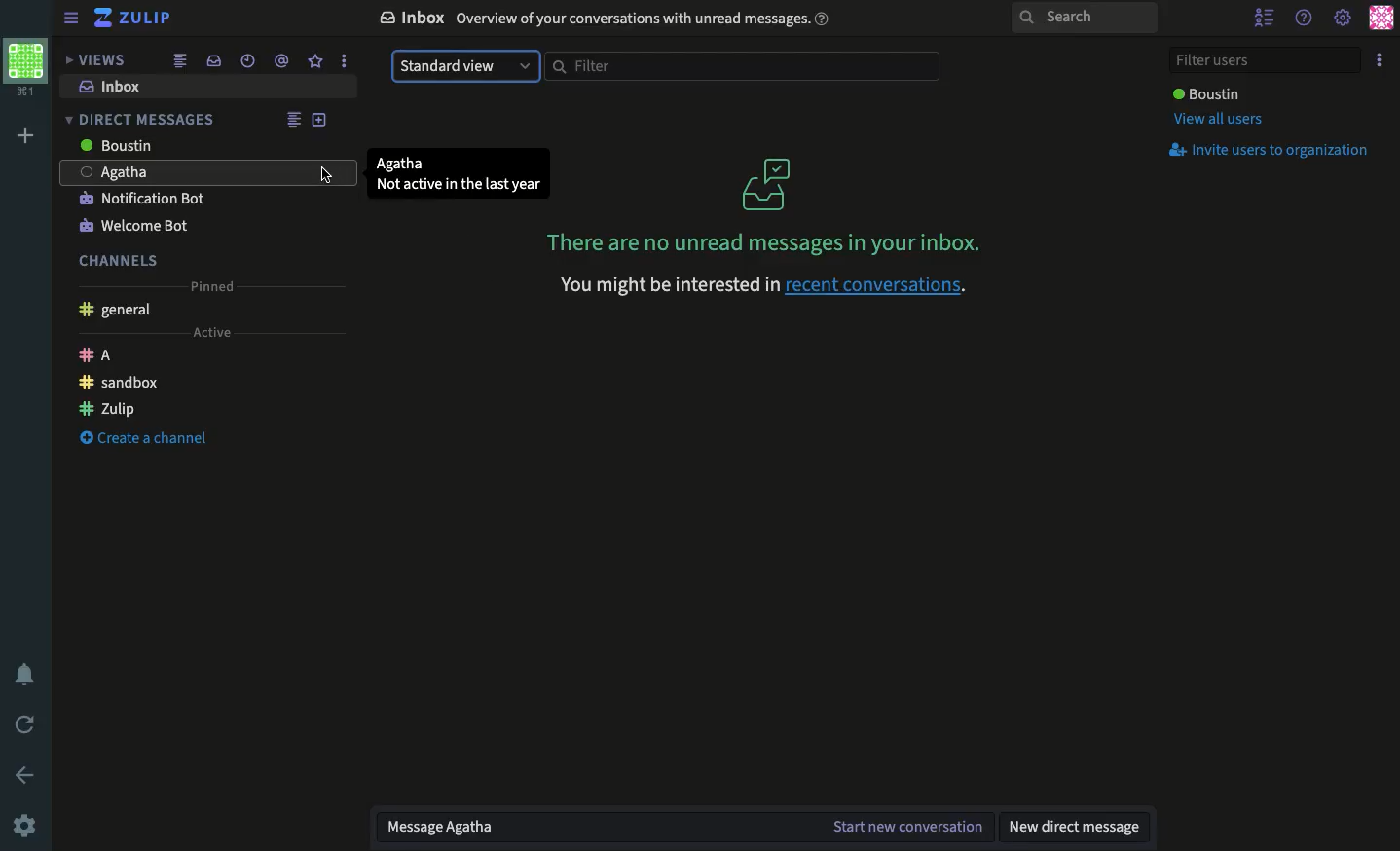 Image resolution: width=1400 pixels, height=851 pixels. I want to click on Welcome bot, so click(133, 226).